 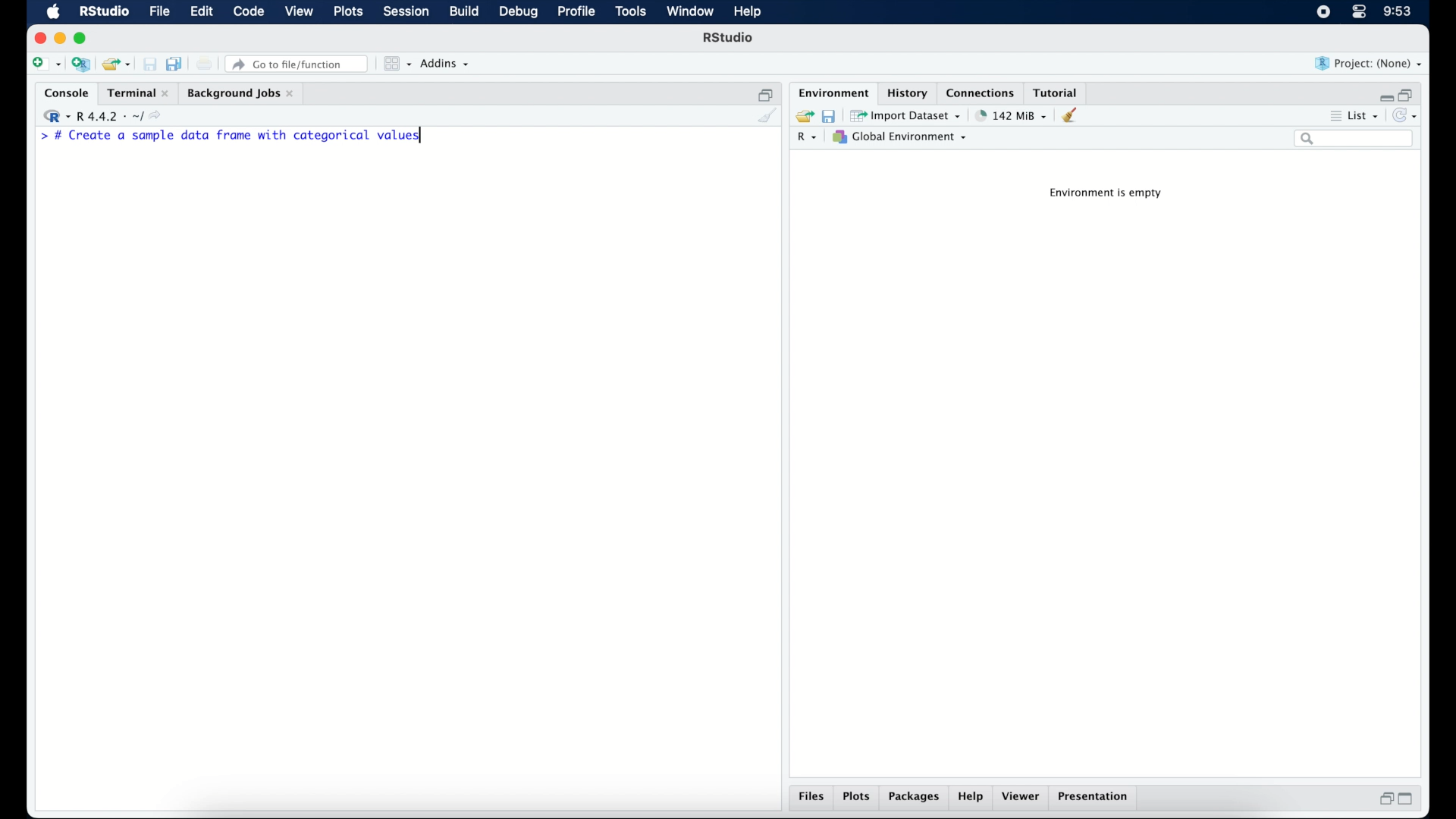 What do you see at coordinates (202, 12) in the screenshot?
I see `edit` at bounding box center [202, 12].